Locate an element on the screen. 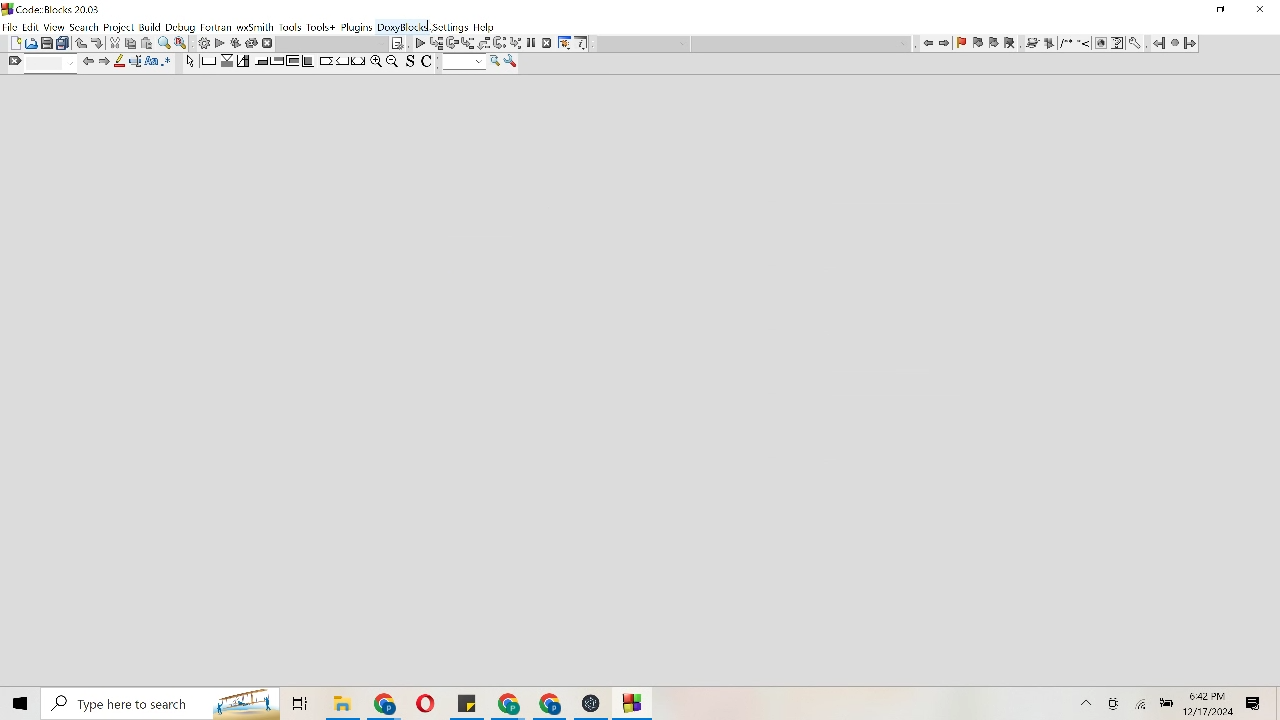 The height and width of the screenshot is (720, 1280). Tools is located at coordinates (291, 28).